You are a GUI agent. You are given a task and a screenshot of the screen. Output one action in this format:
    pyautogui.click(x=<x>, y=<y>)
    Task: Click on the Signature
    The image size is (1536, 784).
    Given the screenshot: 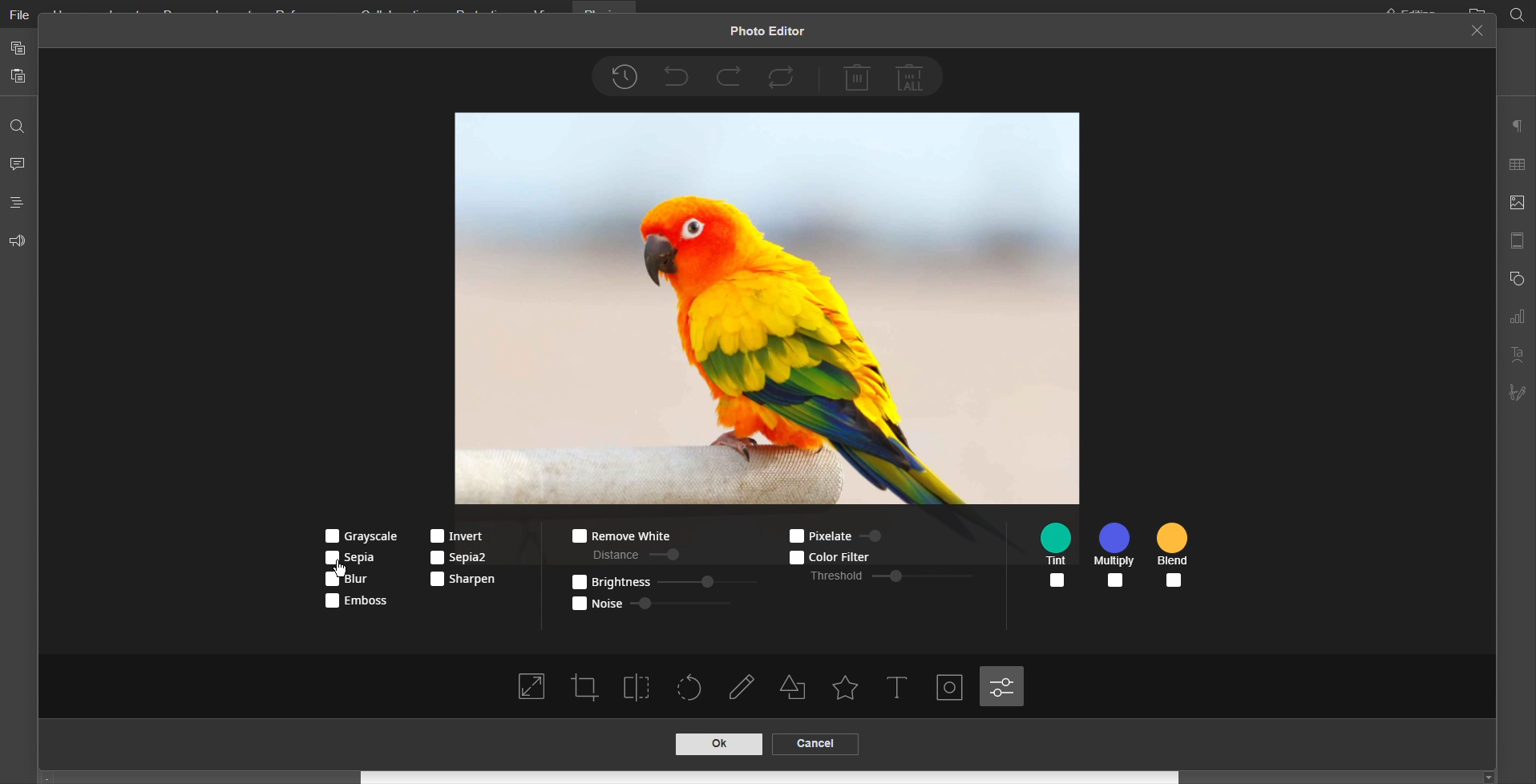 What is the action you would take?
    pyautogui.click(x=1518, y=390)
    